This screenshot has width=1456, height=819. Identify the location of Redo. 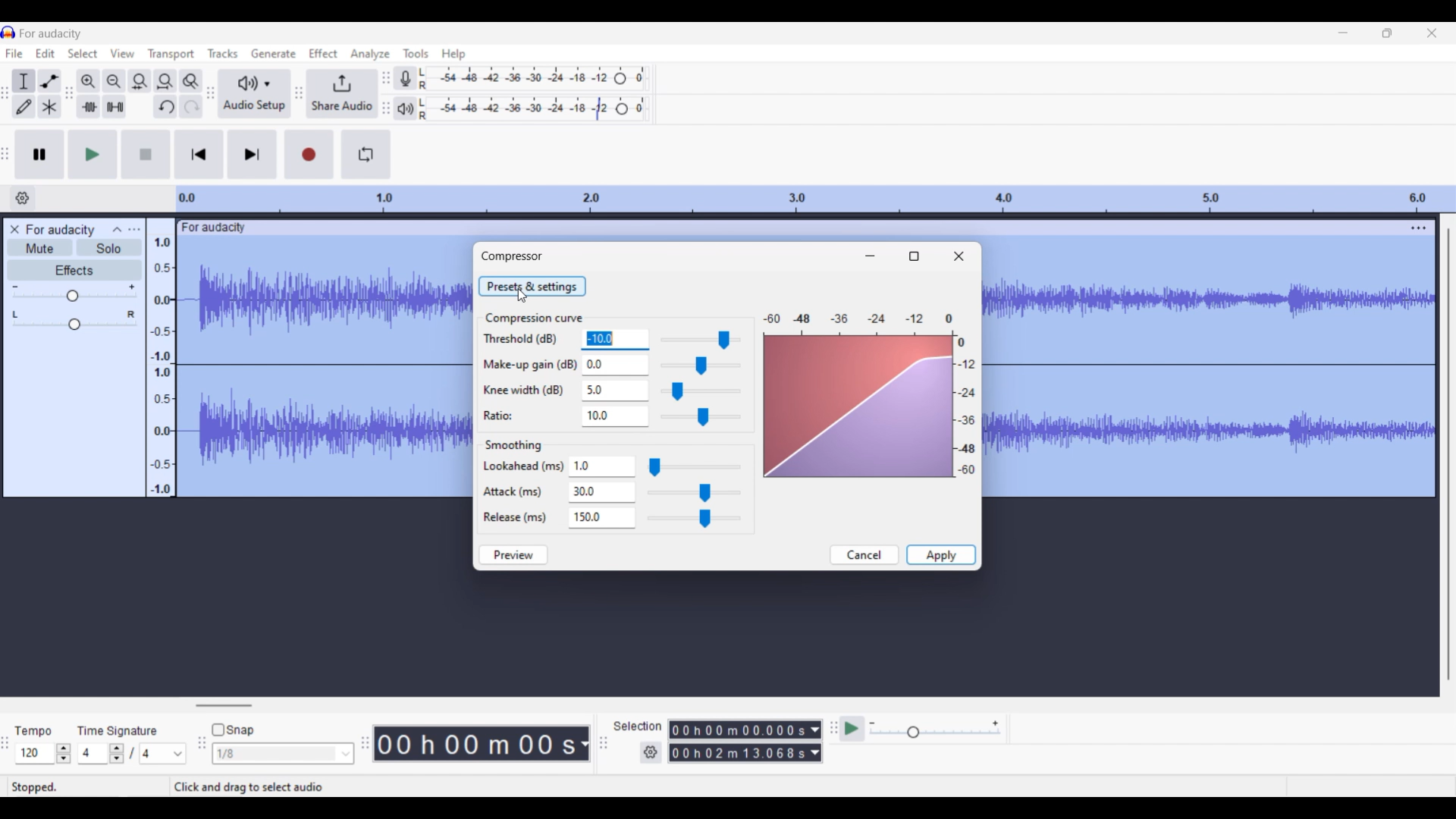
(191, 106).